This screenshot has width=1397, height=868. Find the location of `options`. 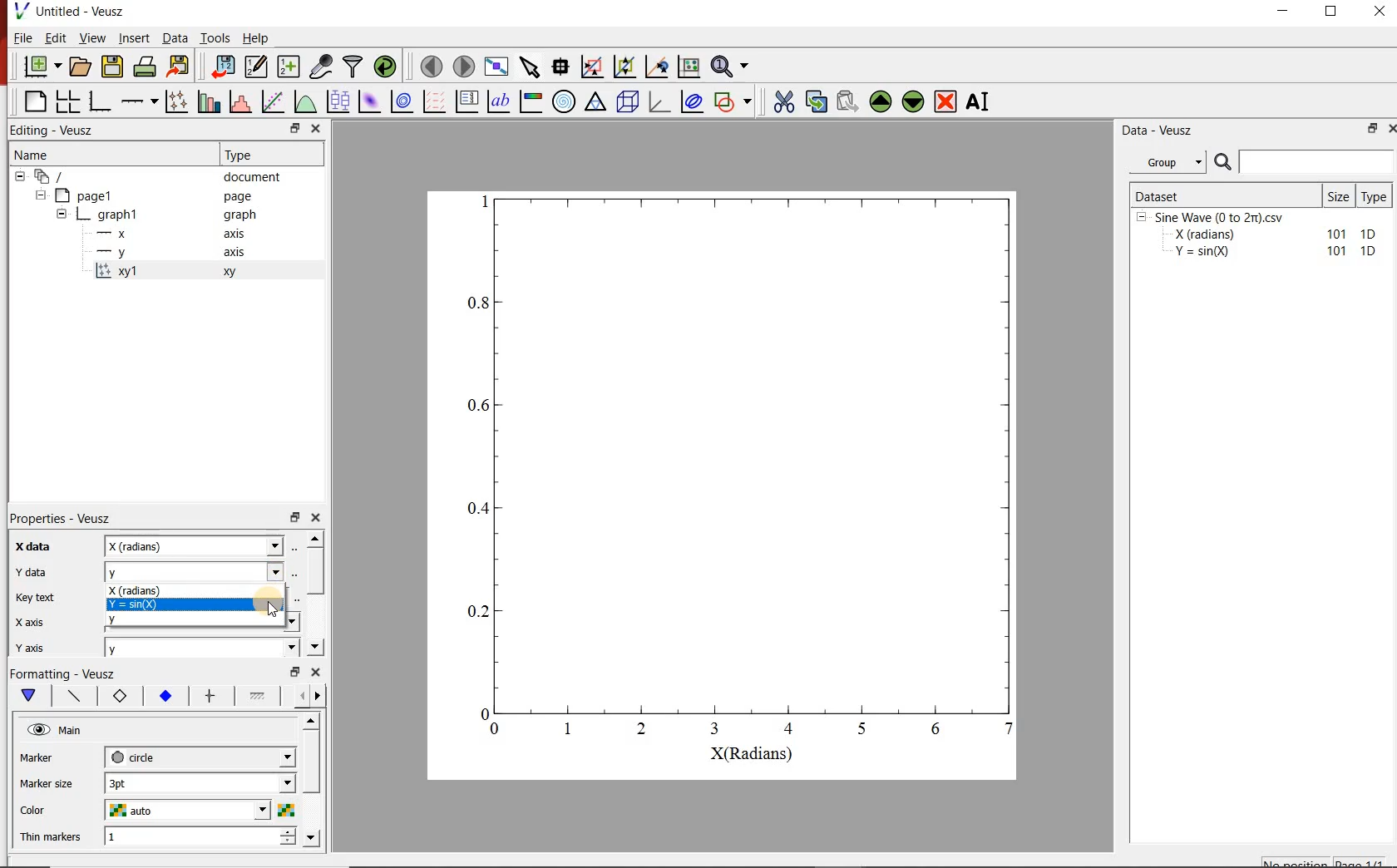

options is located at coordinates (208, 697).